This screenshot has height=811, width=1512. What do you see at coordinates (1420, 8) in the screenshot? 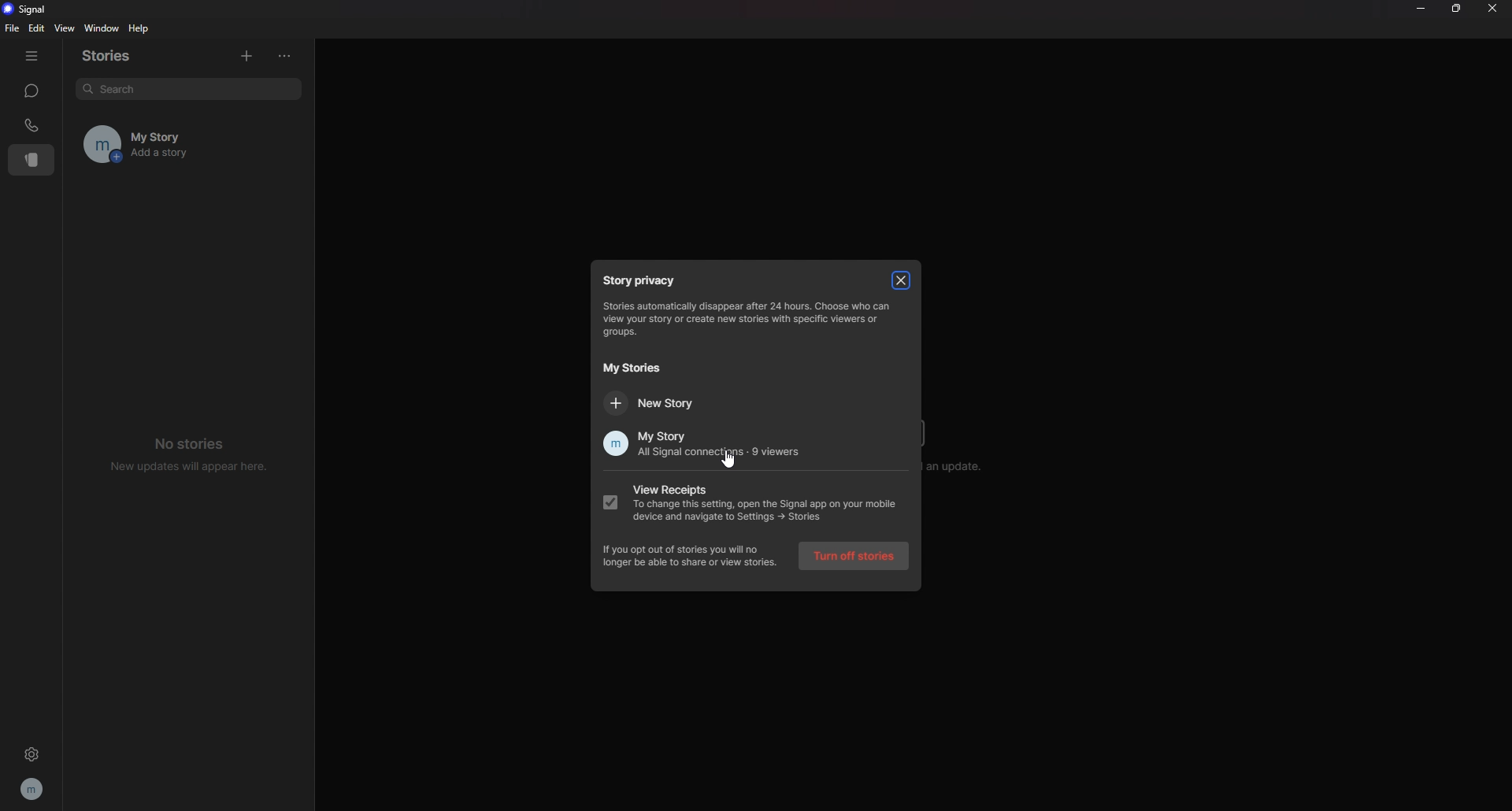
I see `minimize` at bounding box center [1420, 8].